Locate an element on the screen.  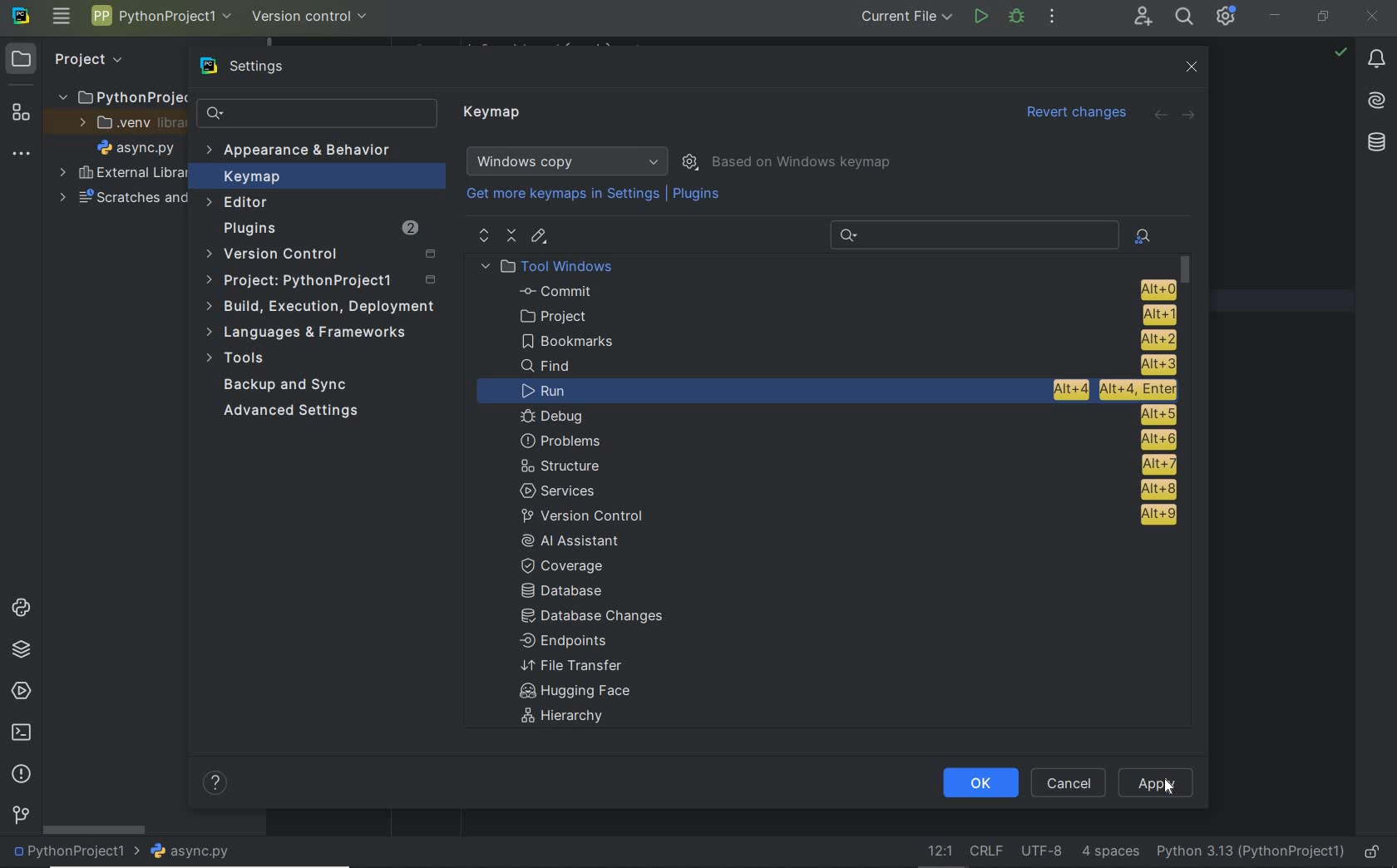
main menu is located at coordinates (61, 17).